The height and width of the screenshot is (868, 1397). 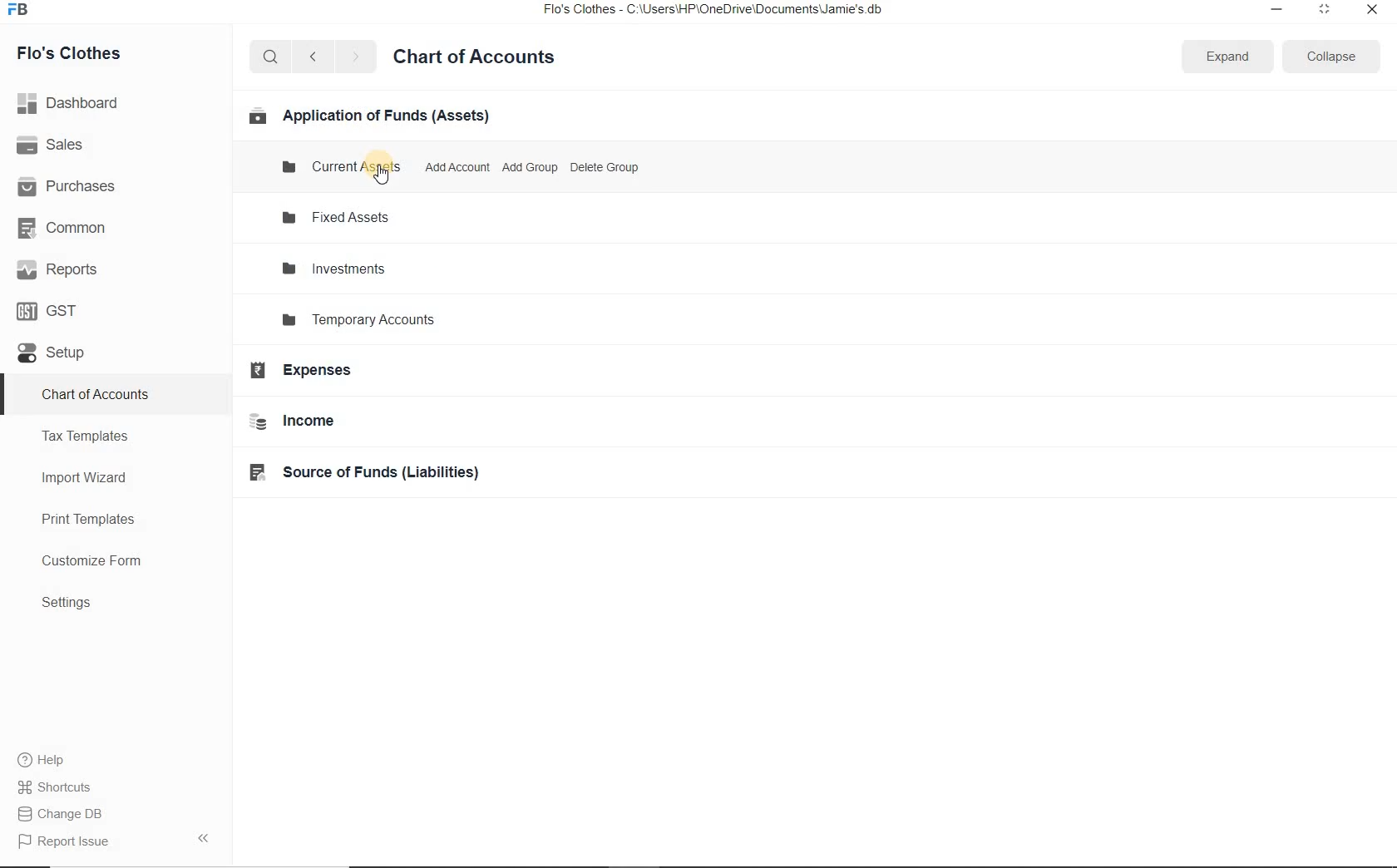 What do you see at coordinates (111, 396) in the screenshot?
I see `chart of Accounts` at bounding box center [111, 396].